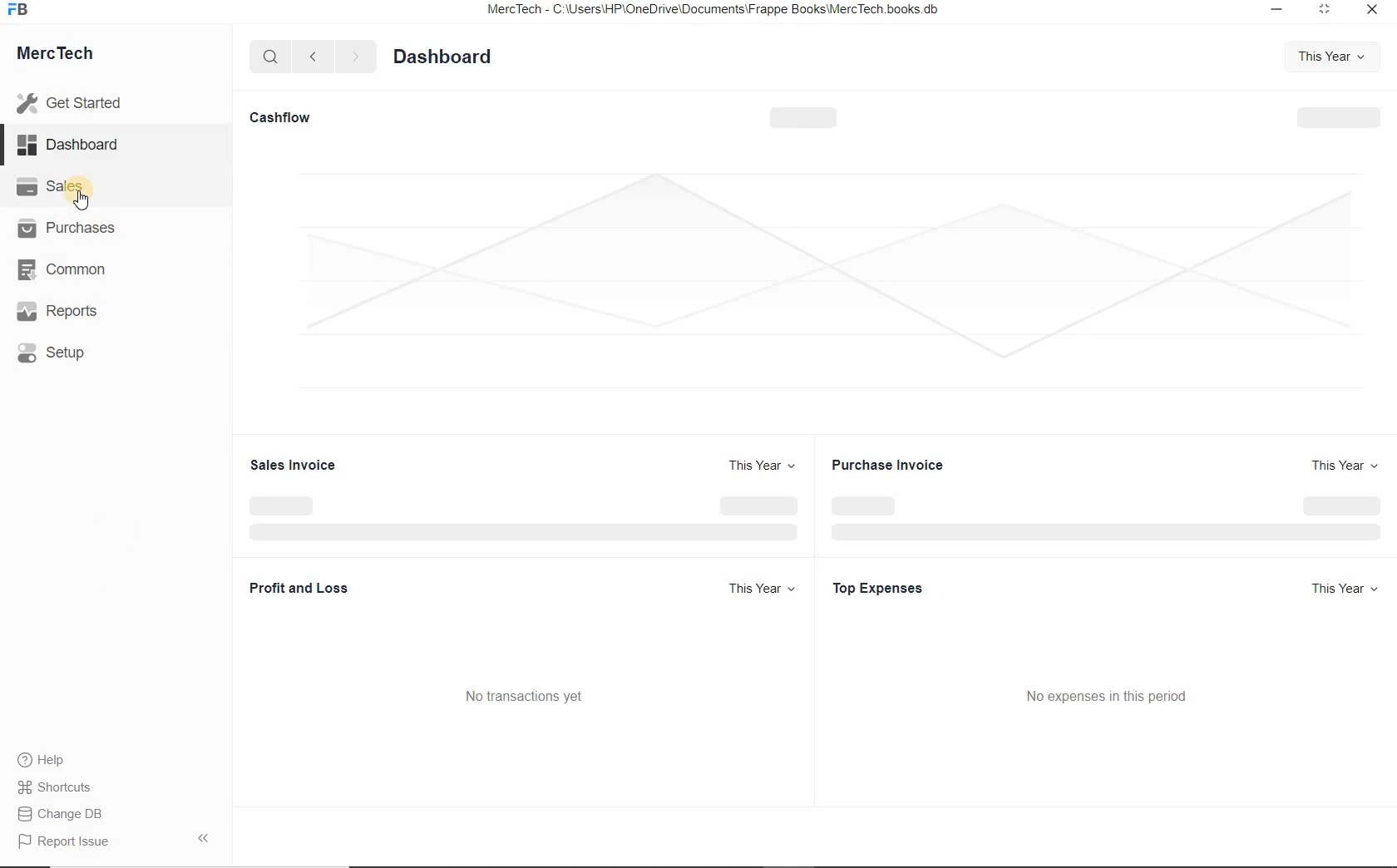 This screenshot has width=1397, height=868. What do you see at coordinates (884, 586) in the screenshot?
I see `Top Expenses` at bounding box center [884, 586].